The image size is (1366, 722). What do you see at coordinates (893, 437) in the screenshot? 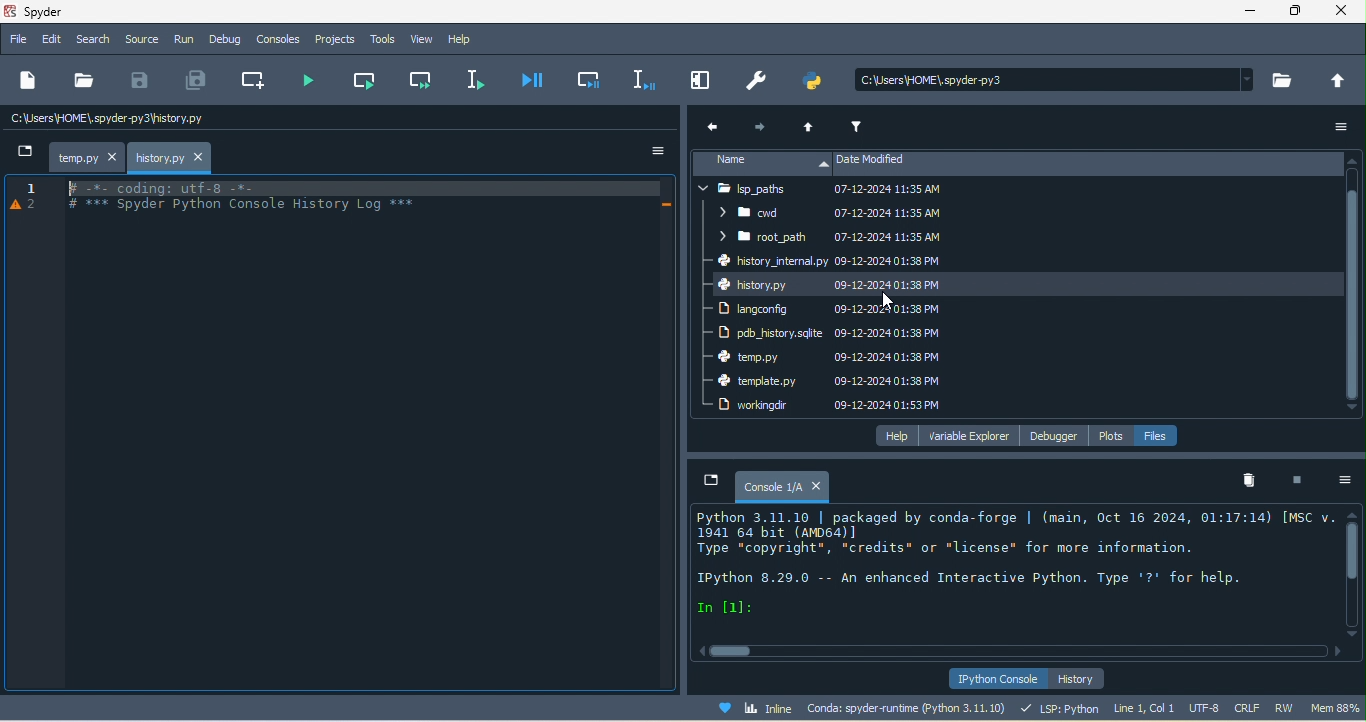
I see `help` at bounding box center [893, 437].